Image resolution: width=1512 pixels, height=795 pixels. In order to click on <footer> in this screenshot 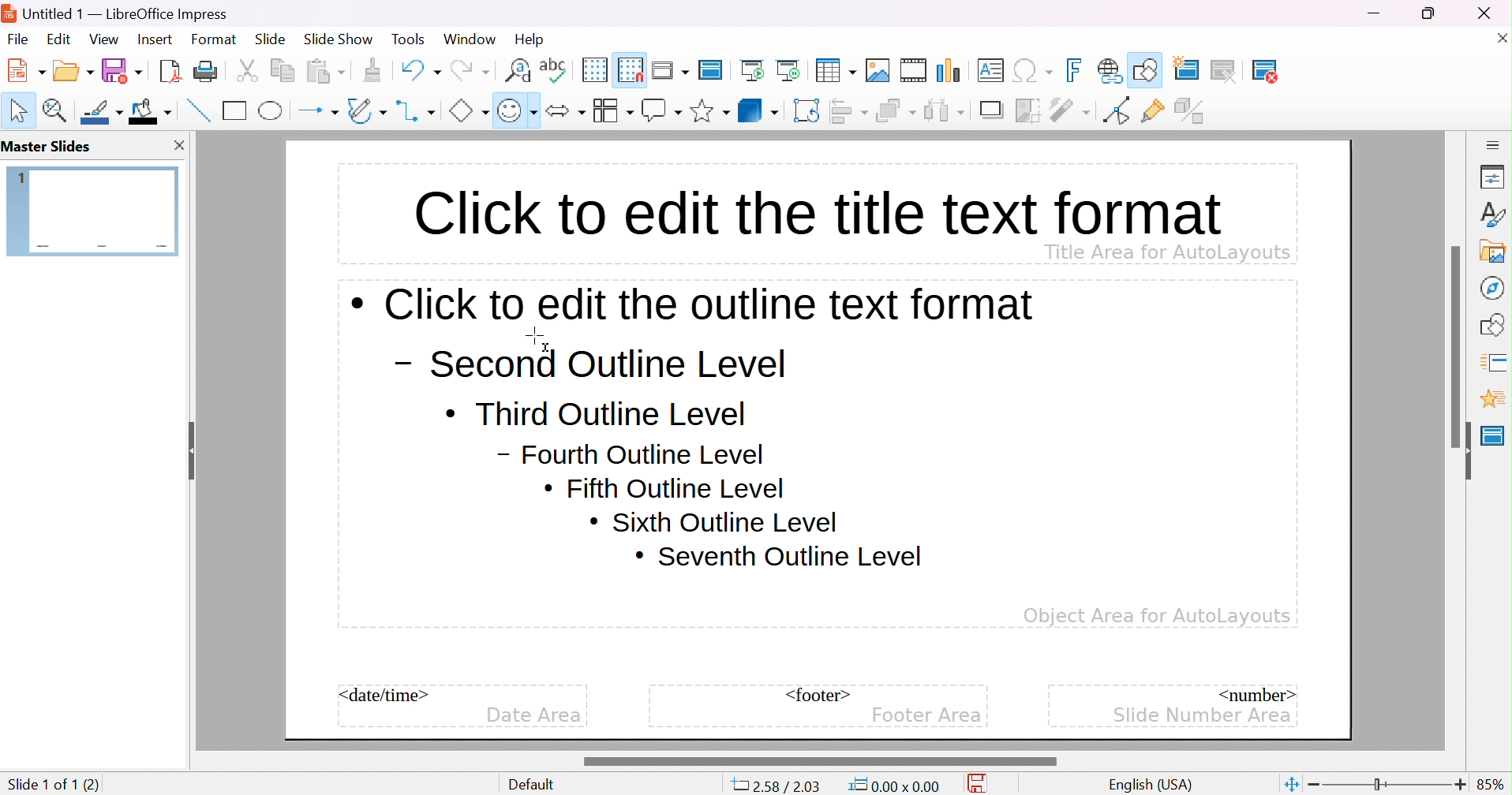, I will do `click(818, 695)`.